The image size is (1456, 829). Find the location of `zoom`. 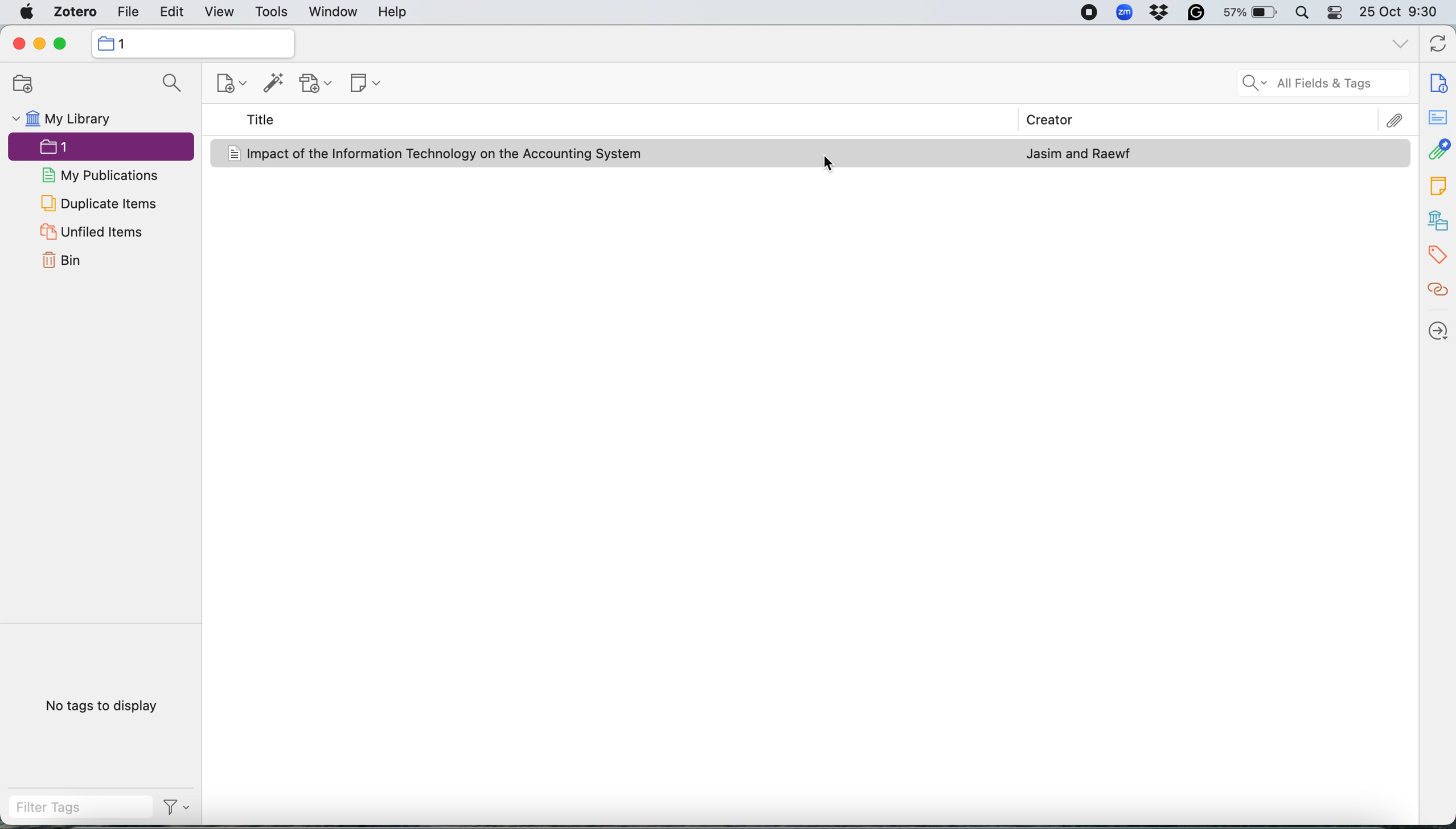

zoom is located at coordinates (1124, 12).